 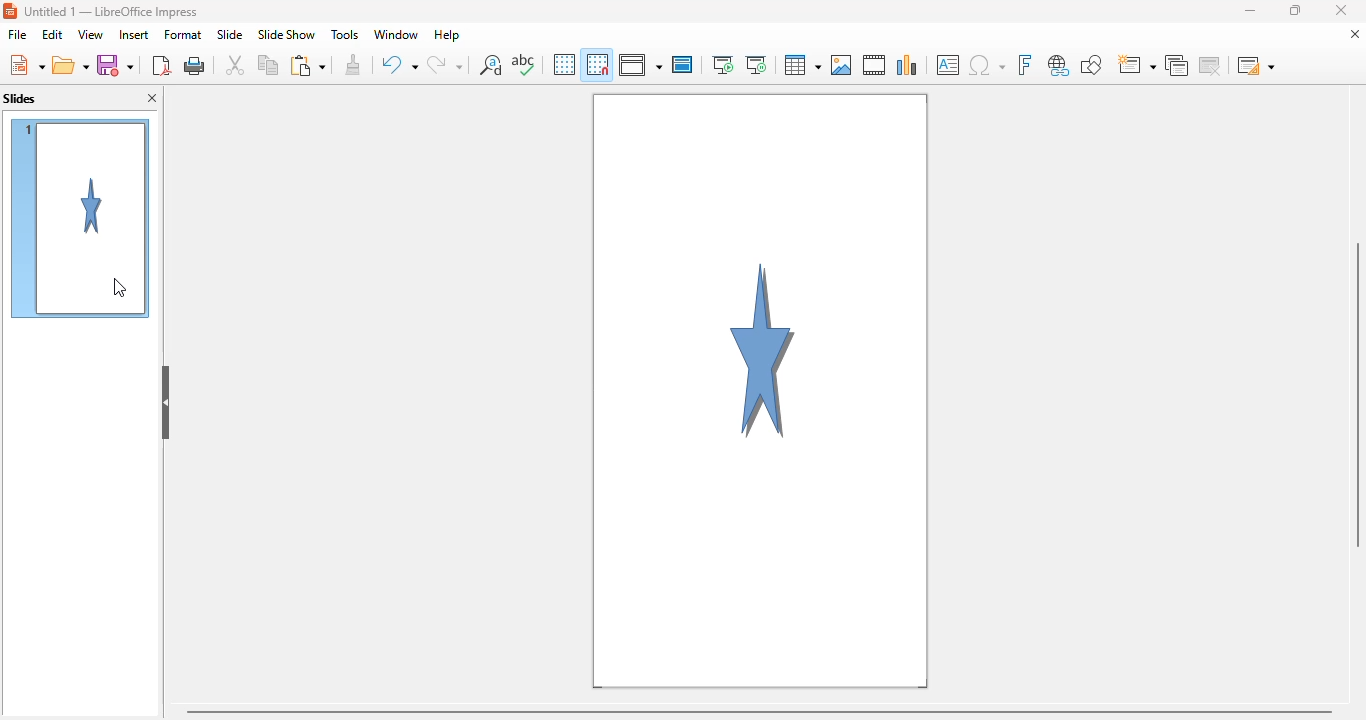 I want to click on maximize, so click(x=1296, y=10).